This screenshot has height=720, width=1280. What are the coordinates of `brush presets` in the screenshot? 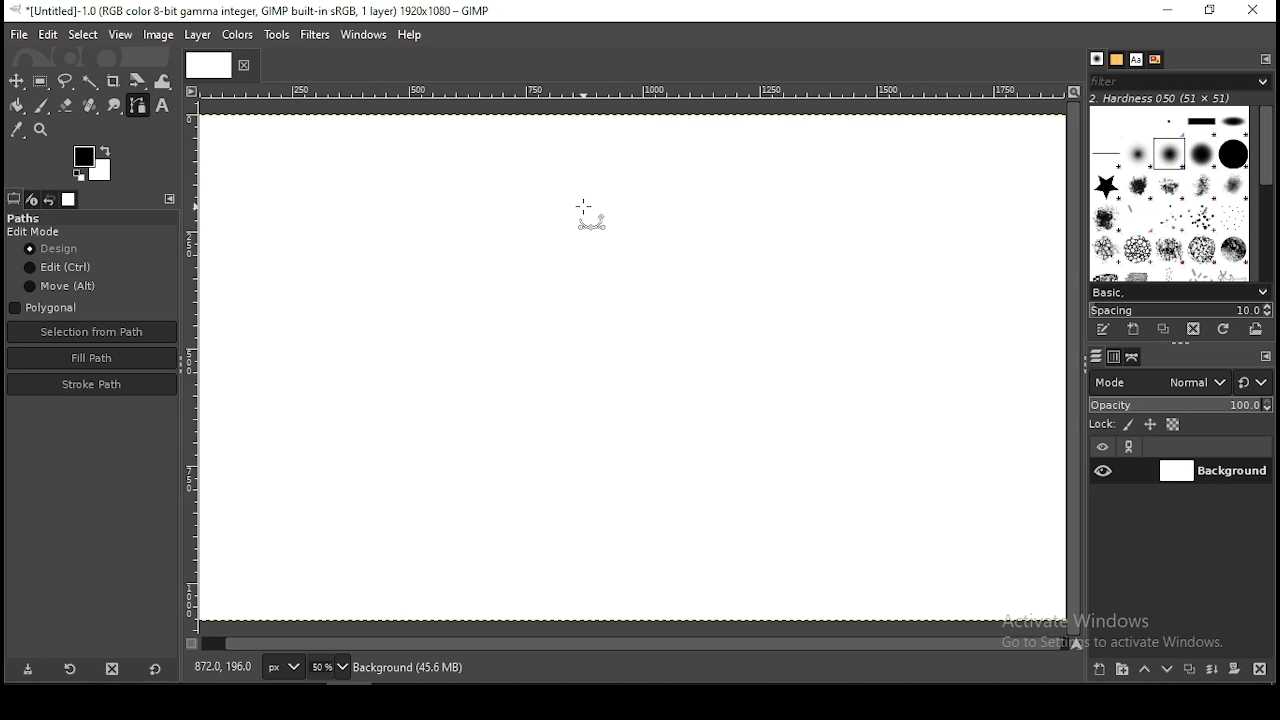 It's located at (1180, 291).